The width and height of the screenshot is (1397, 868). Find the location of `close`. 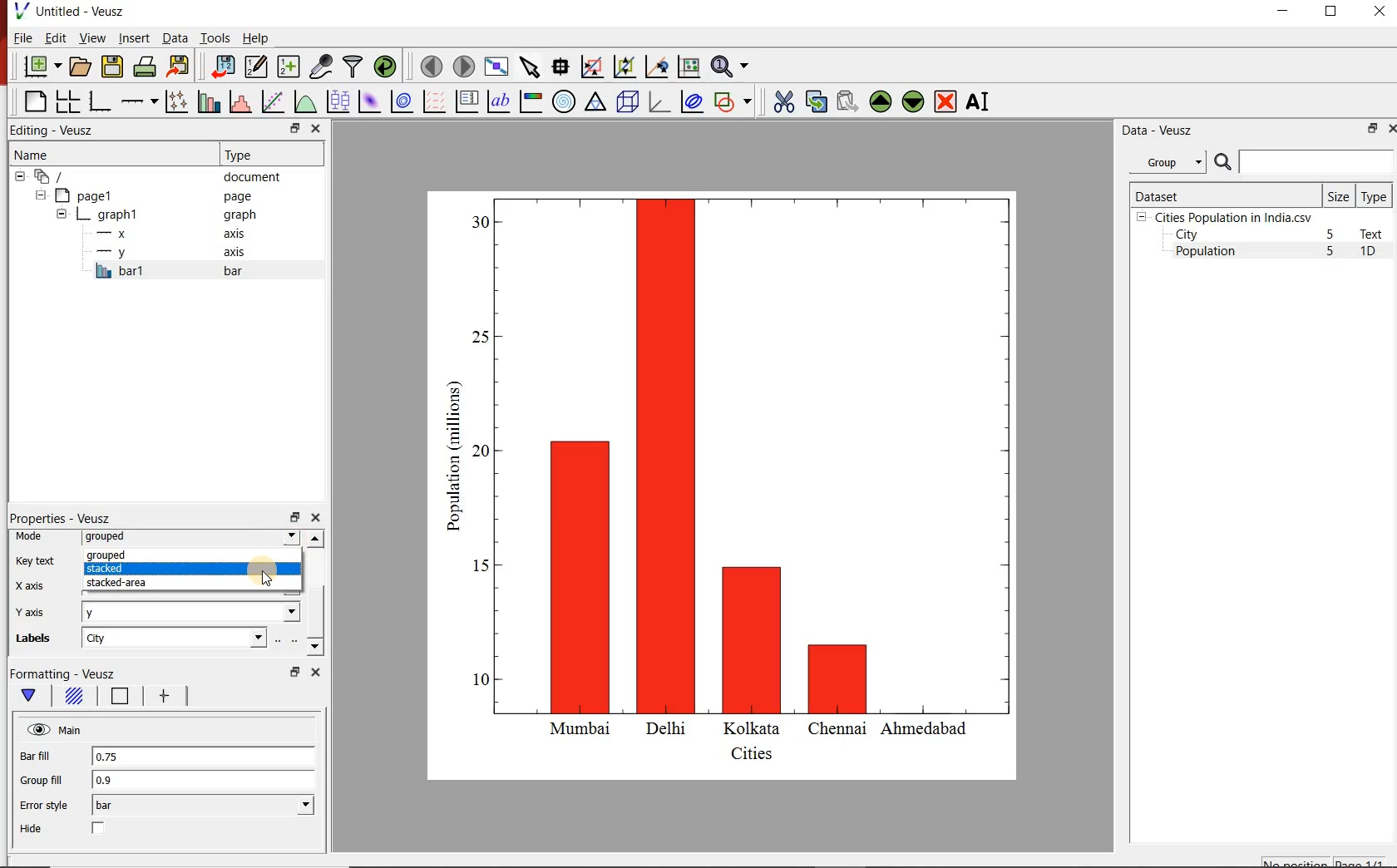

close is located at coordinates (1390, 128).